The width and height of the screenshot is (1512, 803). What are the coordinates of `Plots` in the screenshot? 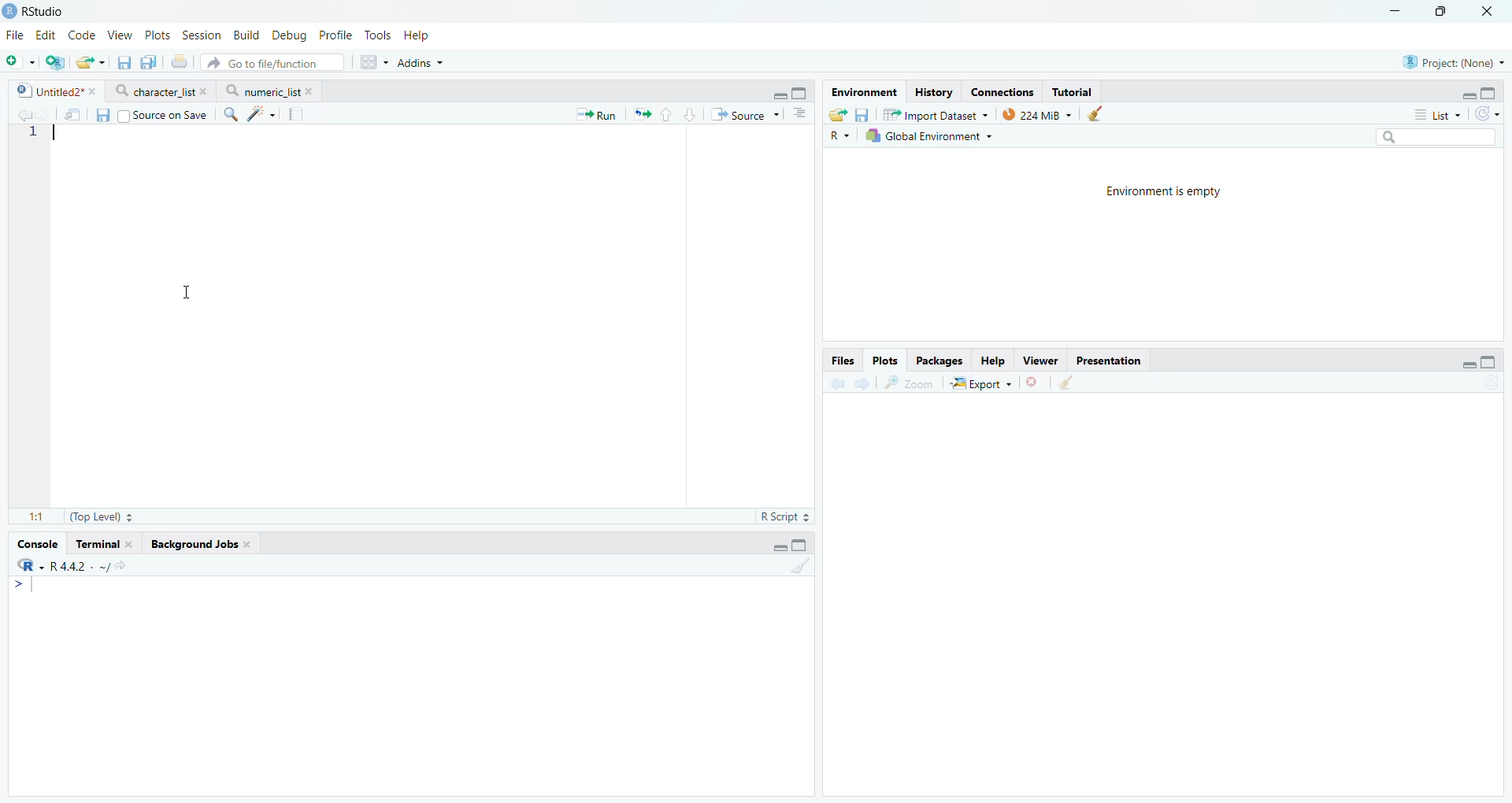 It's located at (887, 358).